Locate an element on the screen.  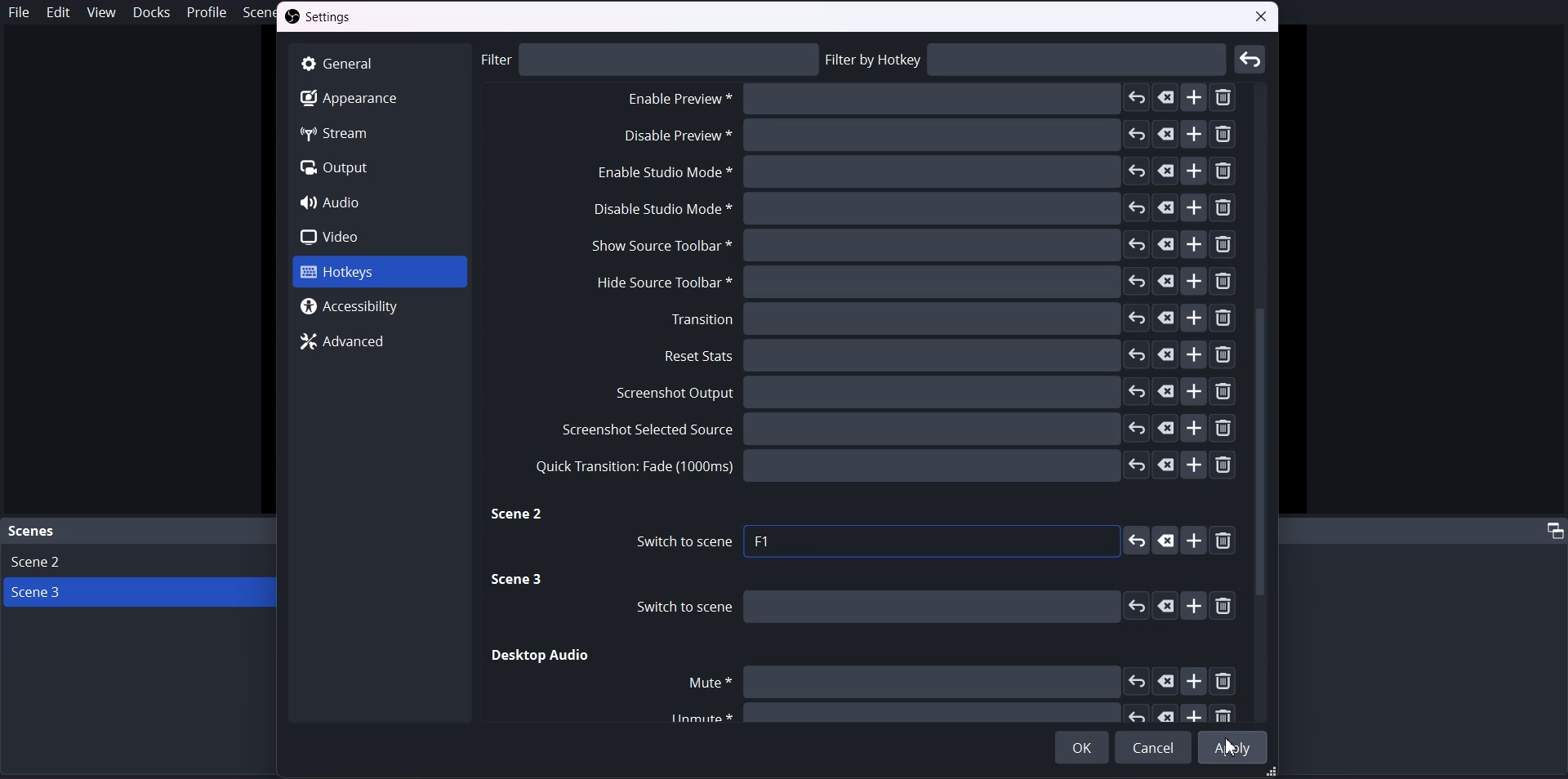
Text is located at coordinates (764, 541).